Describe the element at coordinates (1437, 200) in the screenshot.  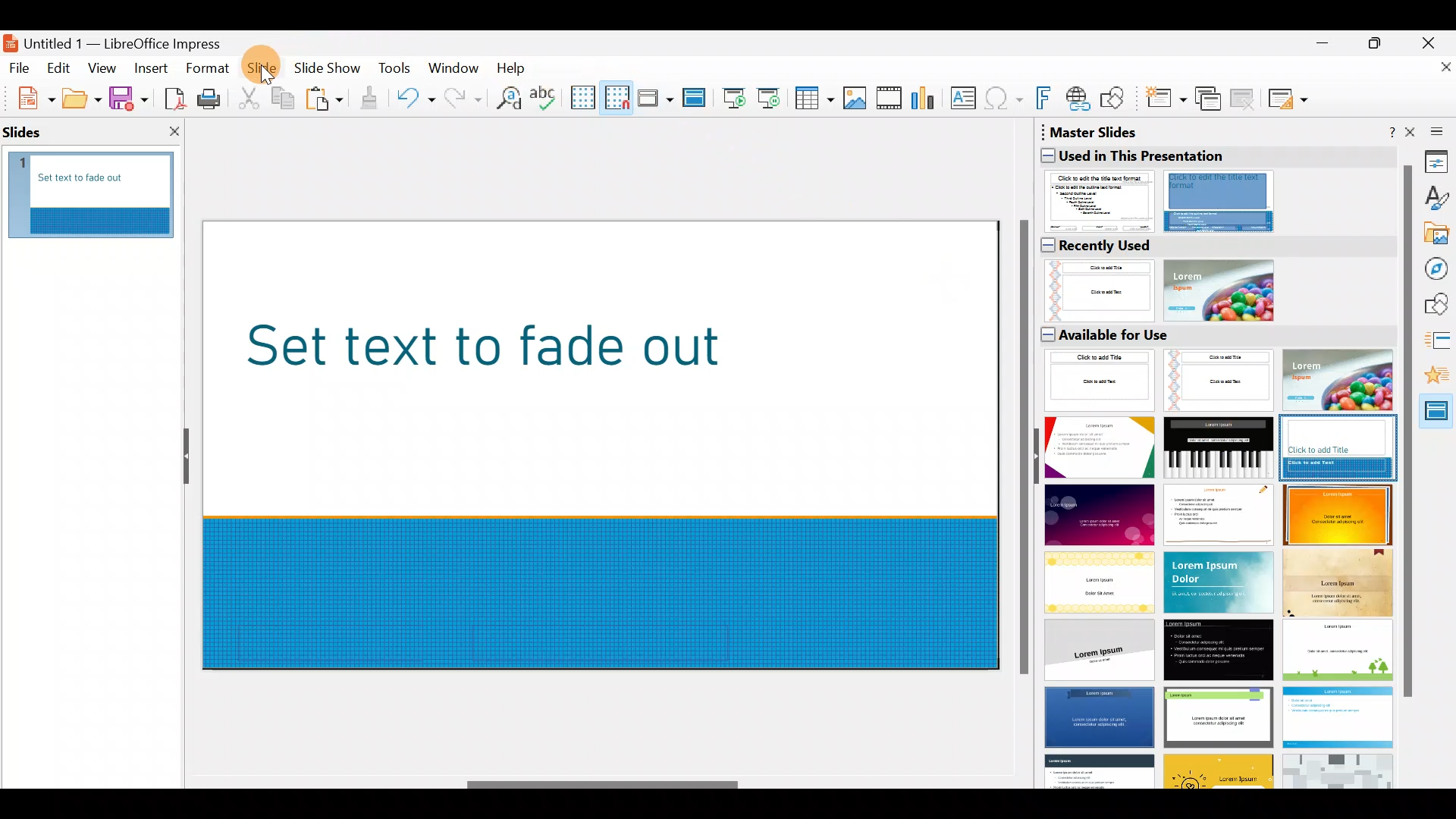
I see `Styles` at that location.